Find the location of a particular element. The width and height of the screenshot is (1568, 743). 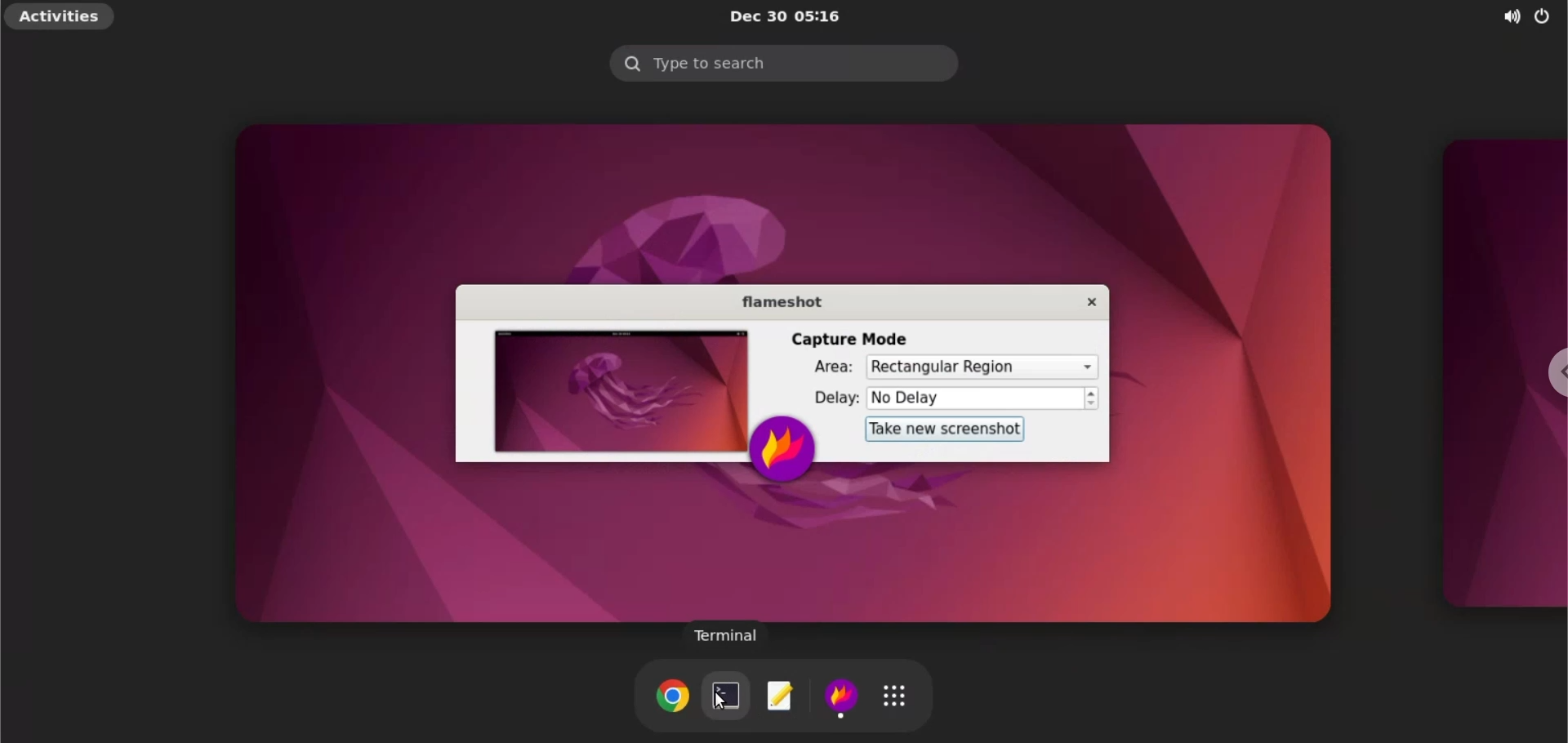

activity window is located at coordinates (788, 374).